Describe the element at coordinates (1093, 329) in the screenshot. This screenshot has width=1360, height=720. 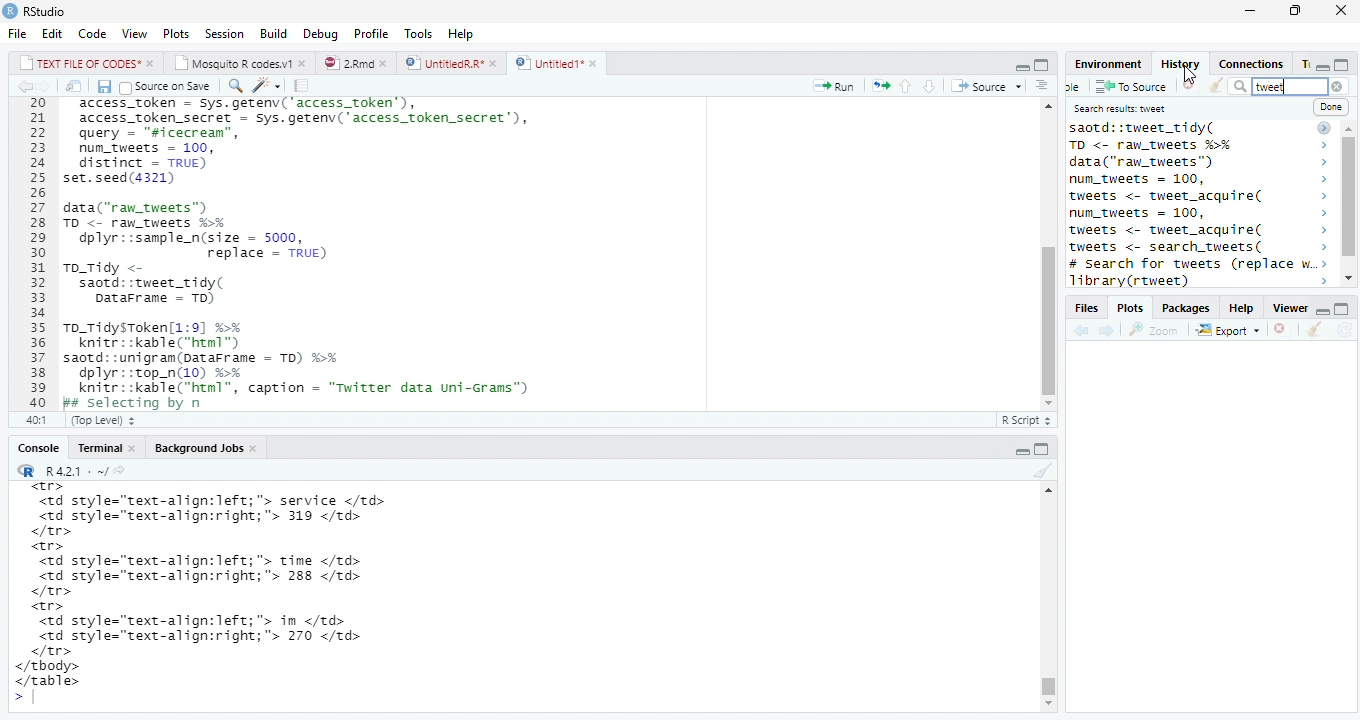
I see `forward/backward source location` at that location.